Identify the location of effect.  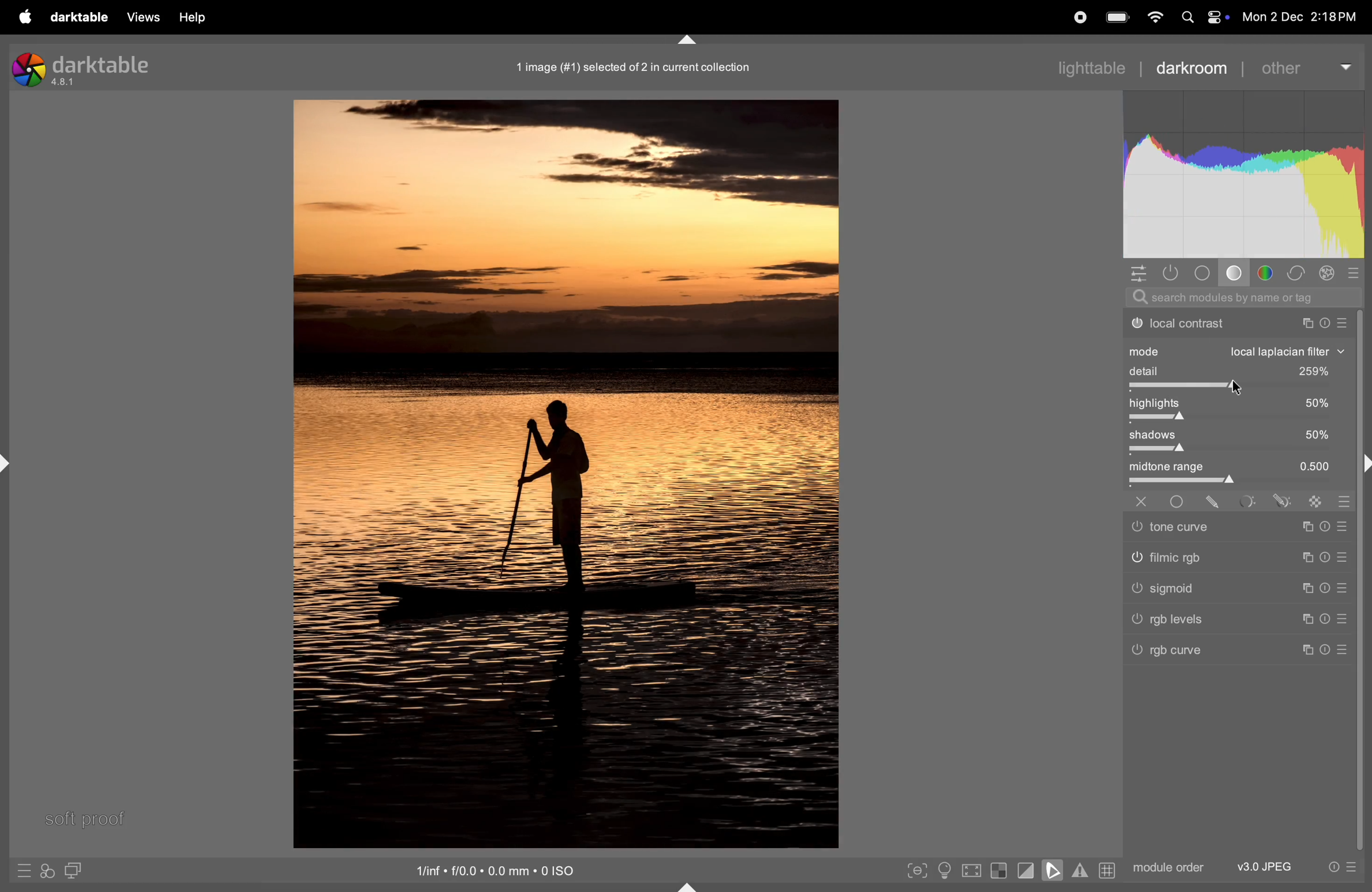
(1328, 273).